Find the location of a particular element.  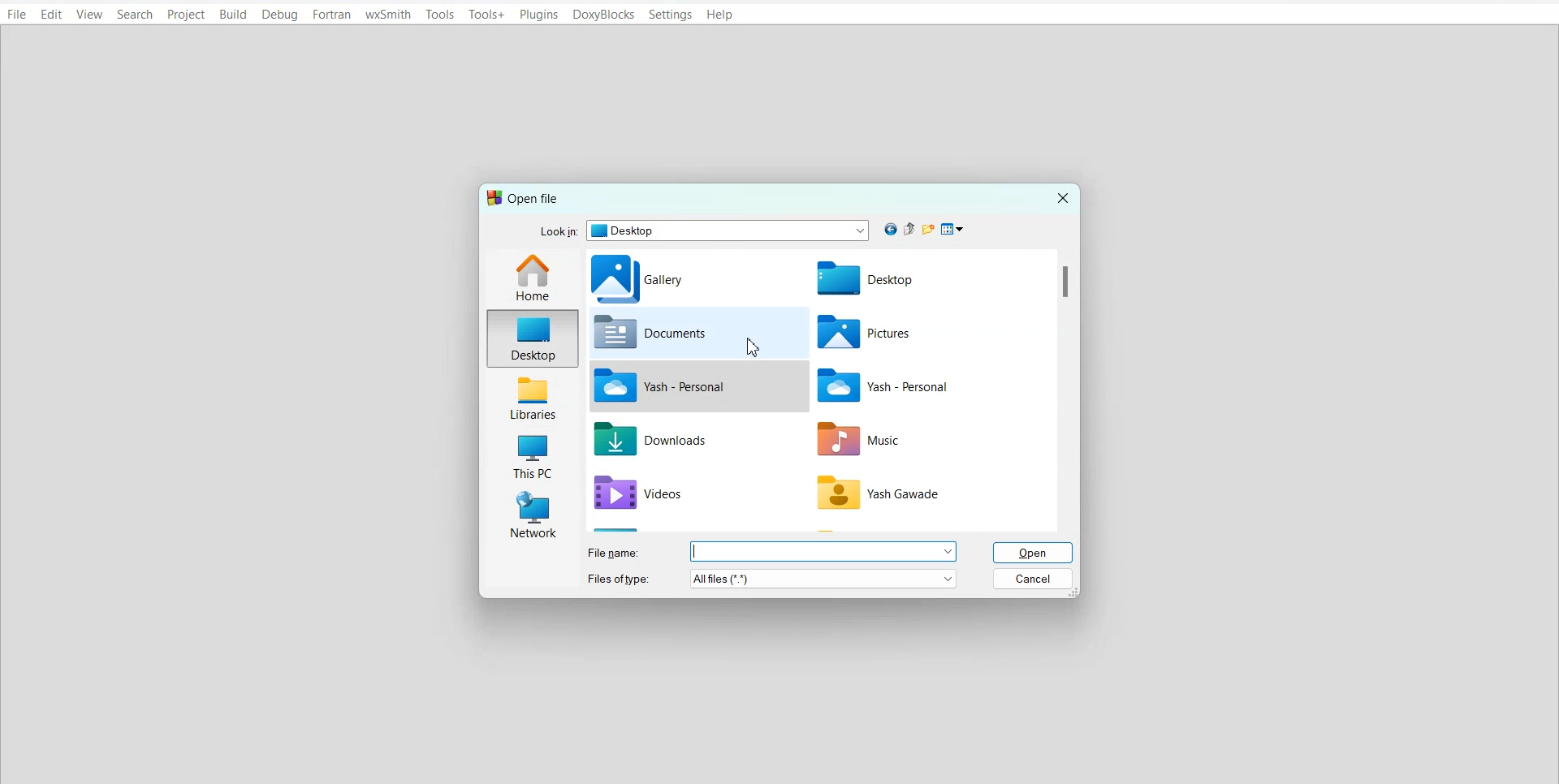

Go back to previous file is located at coordinates (889, 229).